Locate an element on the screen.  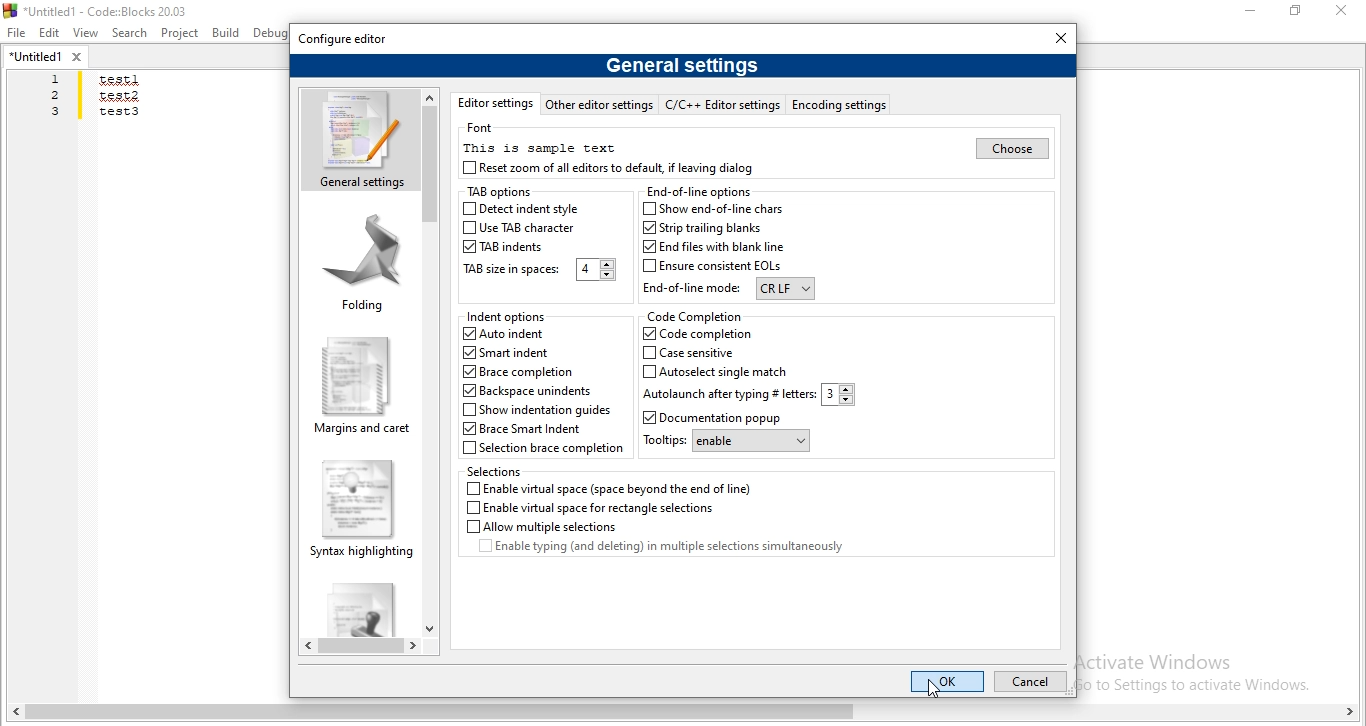
Smart indent is located at coordinates (504, 354).